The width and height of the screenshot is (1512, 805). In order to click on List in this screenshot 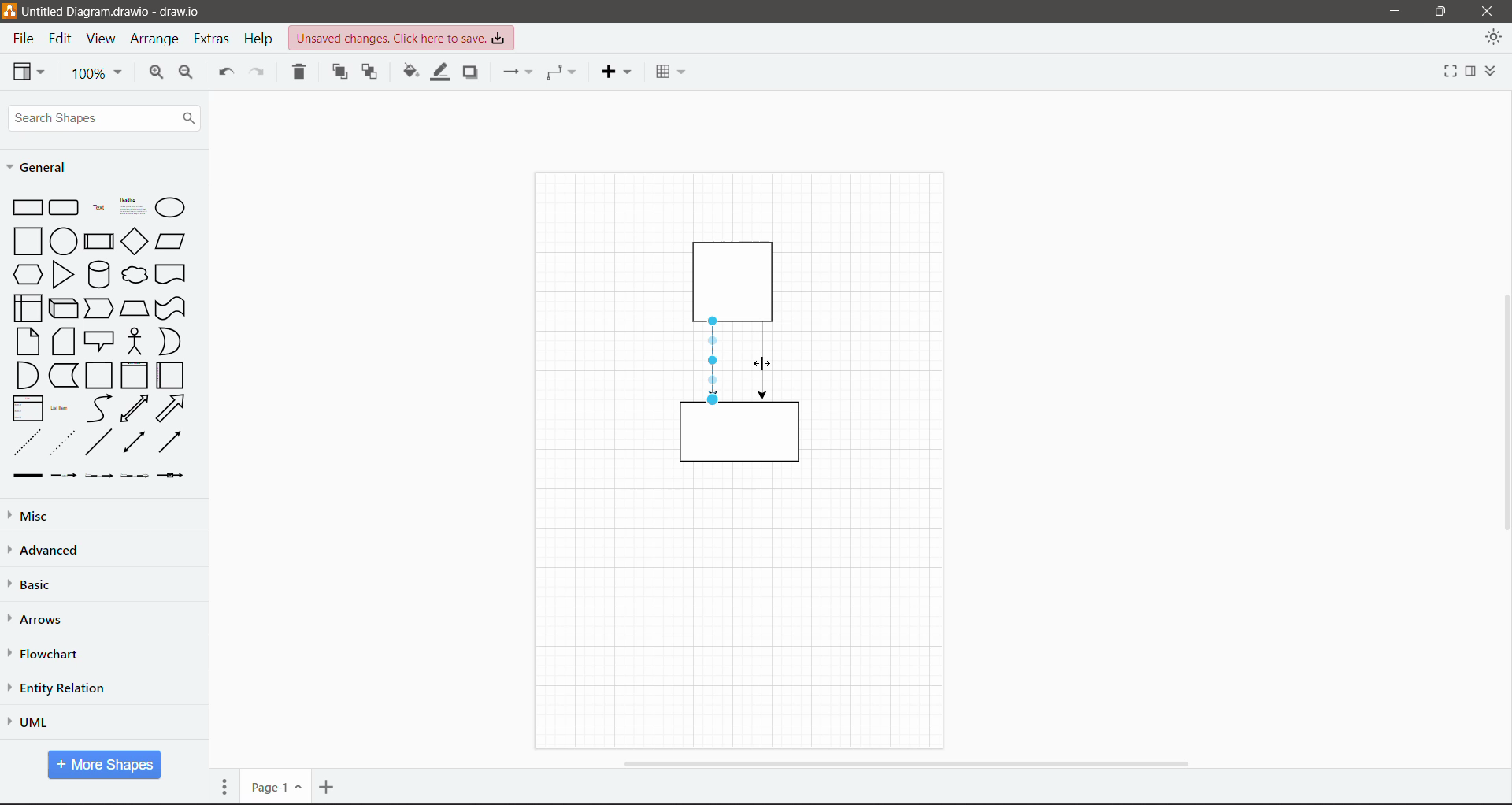, I will do `click(25, 407)`.